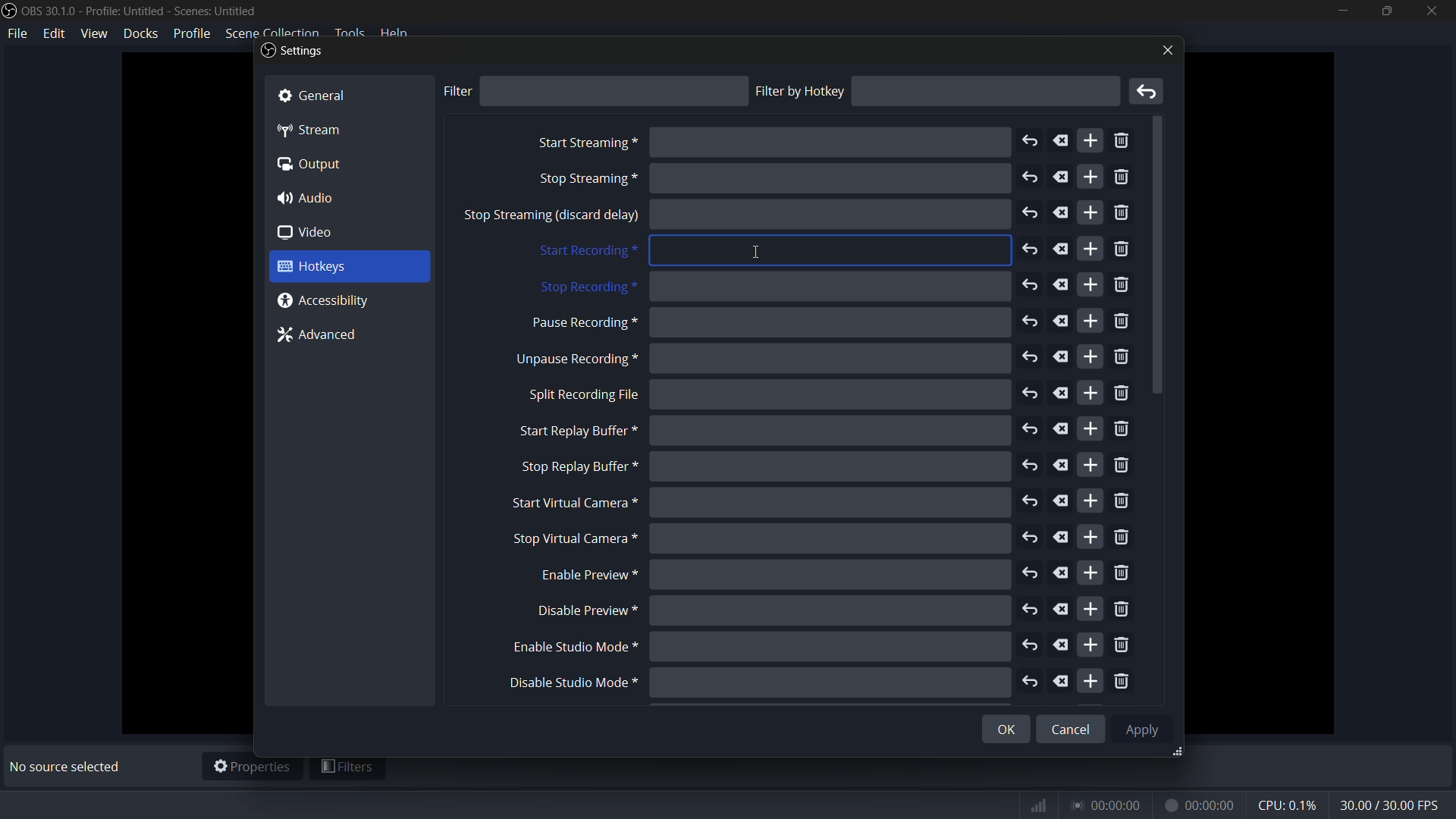 This screenshot has width=1456, height=819. Describe the element at coordinates (1029, 393) in the screenshot. I see `undo` at that location.